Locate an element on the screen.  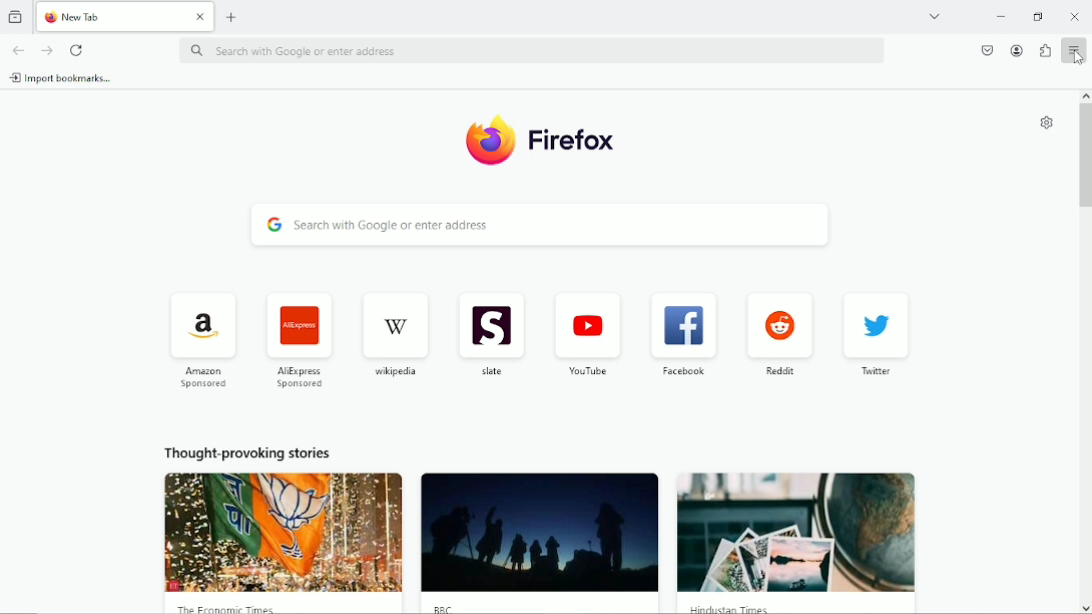
go back is located at coordinates (19, 50).